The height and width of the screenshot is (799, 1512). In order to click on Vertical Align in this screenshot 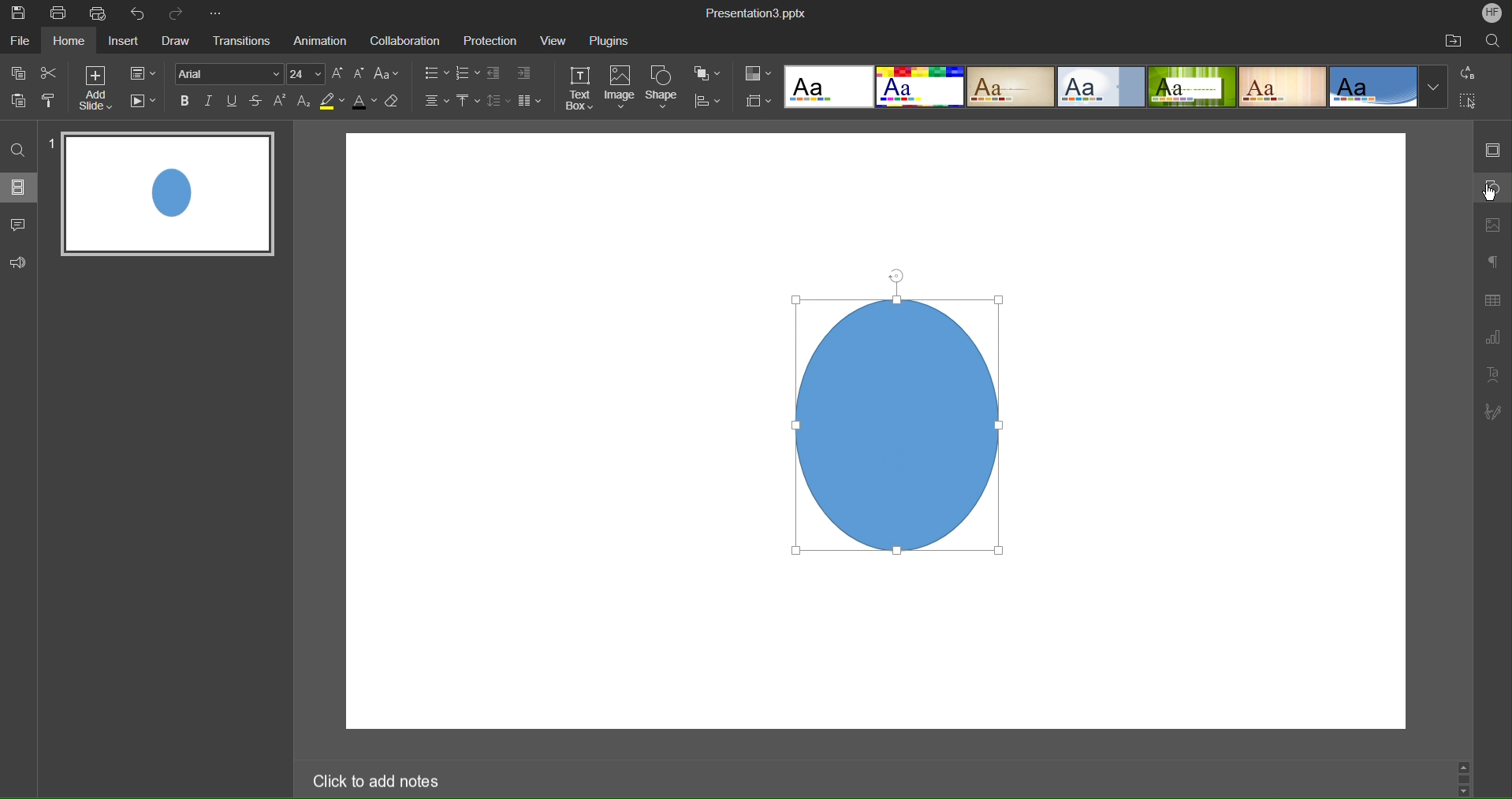, I will do `click(467, 102)`.